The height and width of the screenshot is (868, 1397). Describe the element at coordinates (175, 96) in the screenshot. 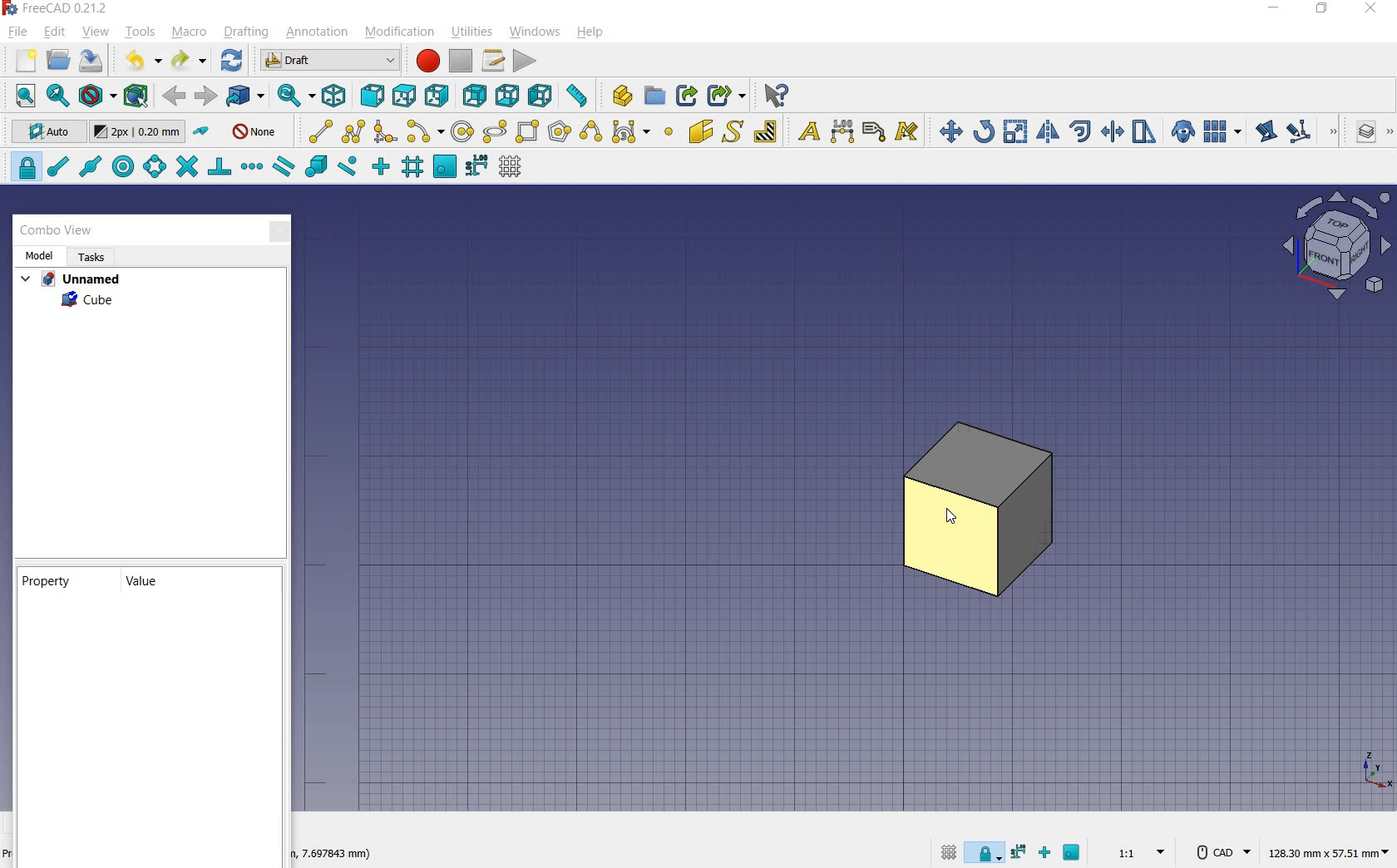

I see `back` at that location.